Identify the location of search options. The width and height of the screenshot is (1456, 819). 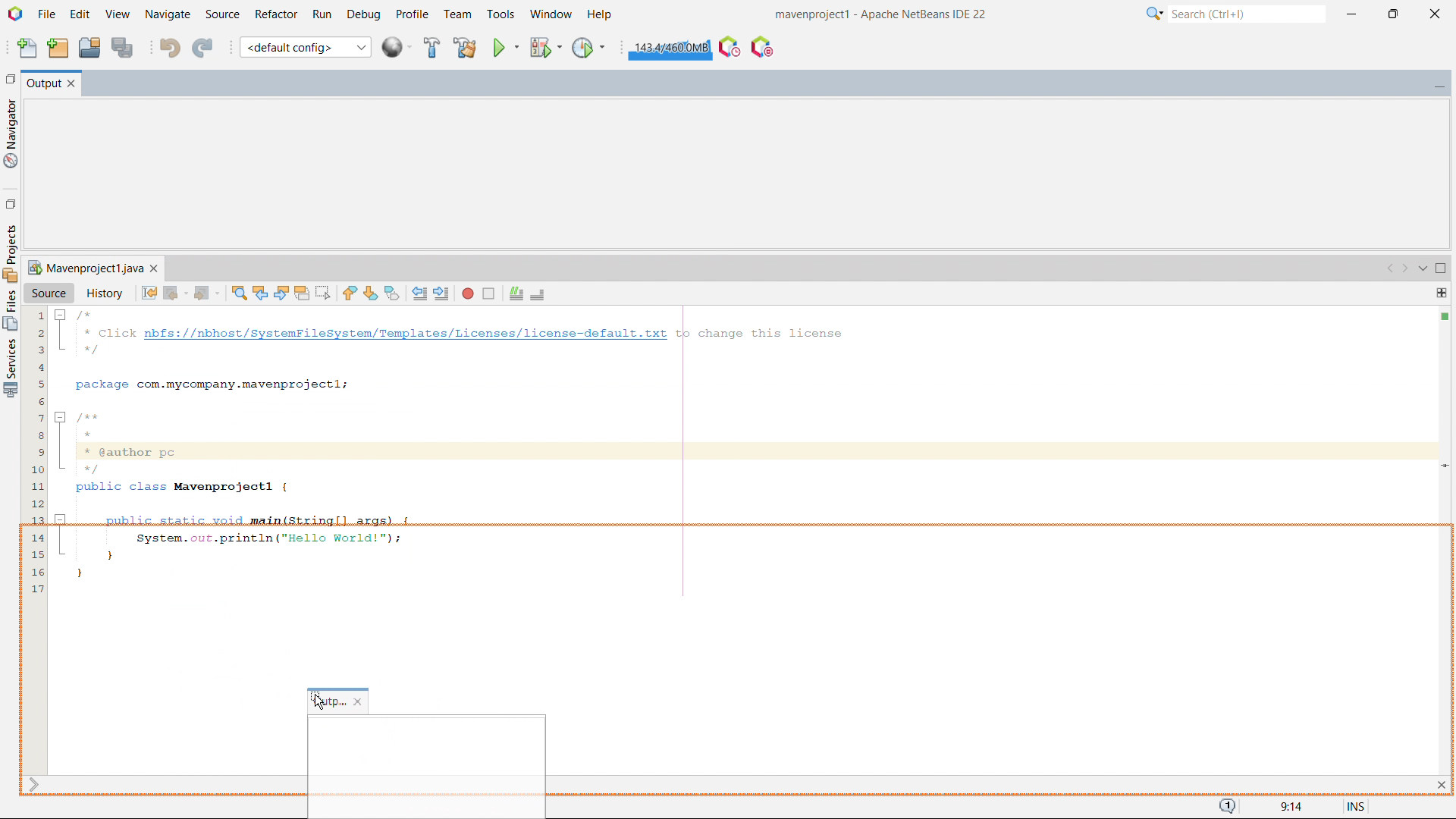
(1155, 14).